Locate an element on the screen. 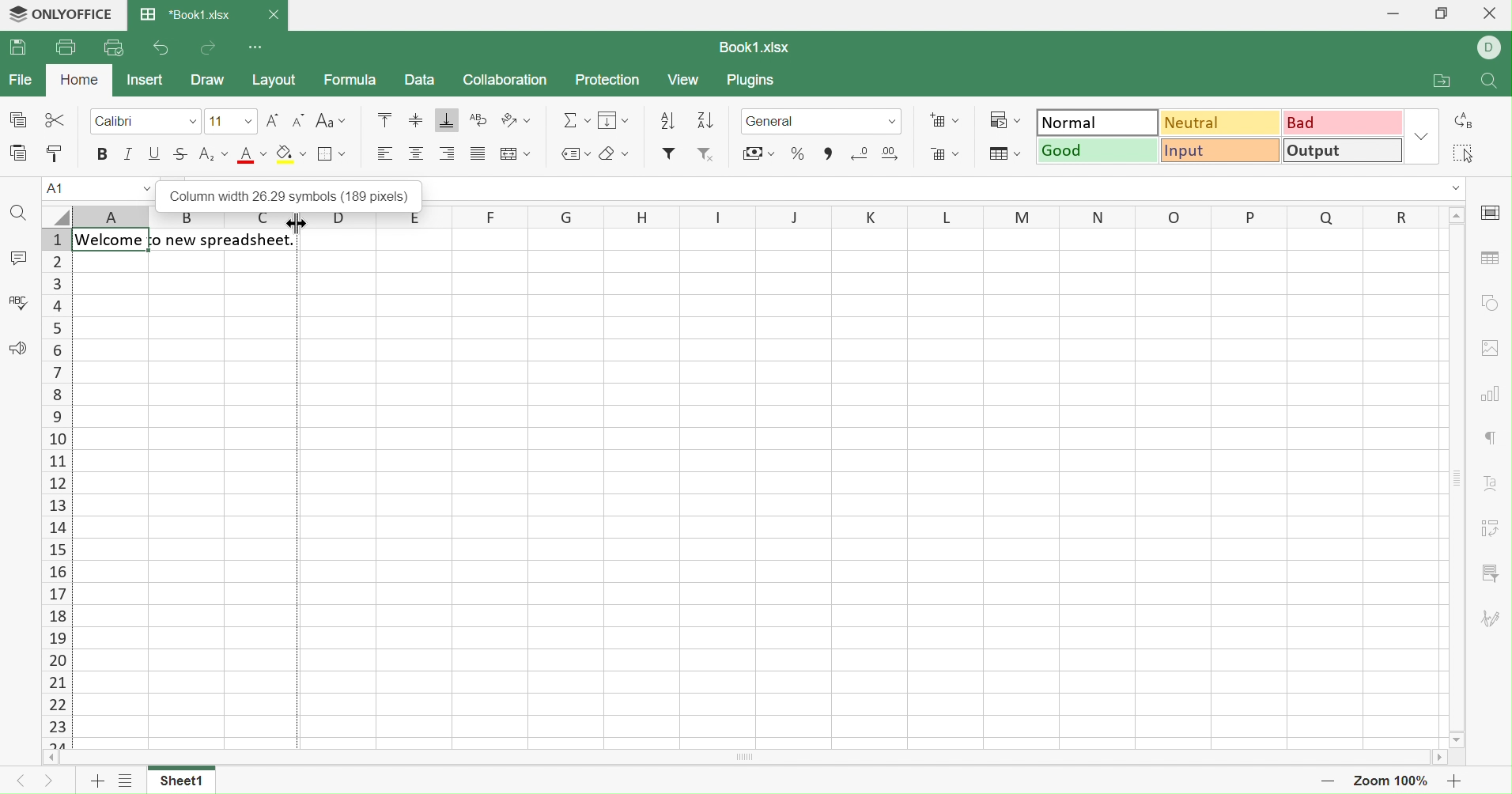 This screenshot has height=794, width=1512. Redo is located at coordinates (211, 49).